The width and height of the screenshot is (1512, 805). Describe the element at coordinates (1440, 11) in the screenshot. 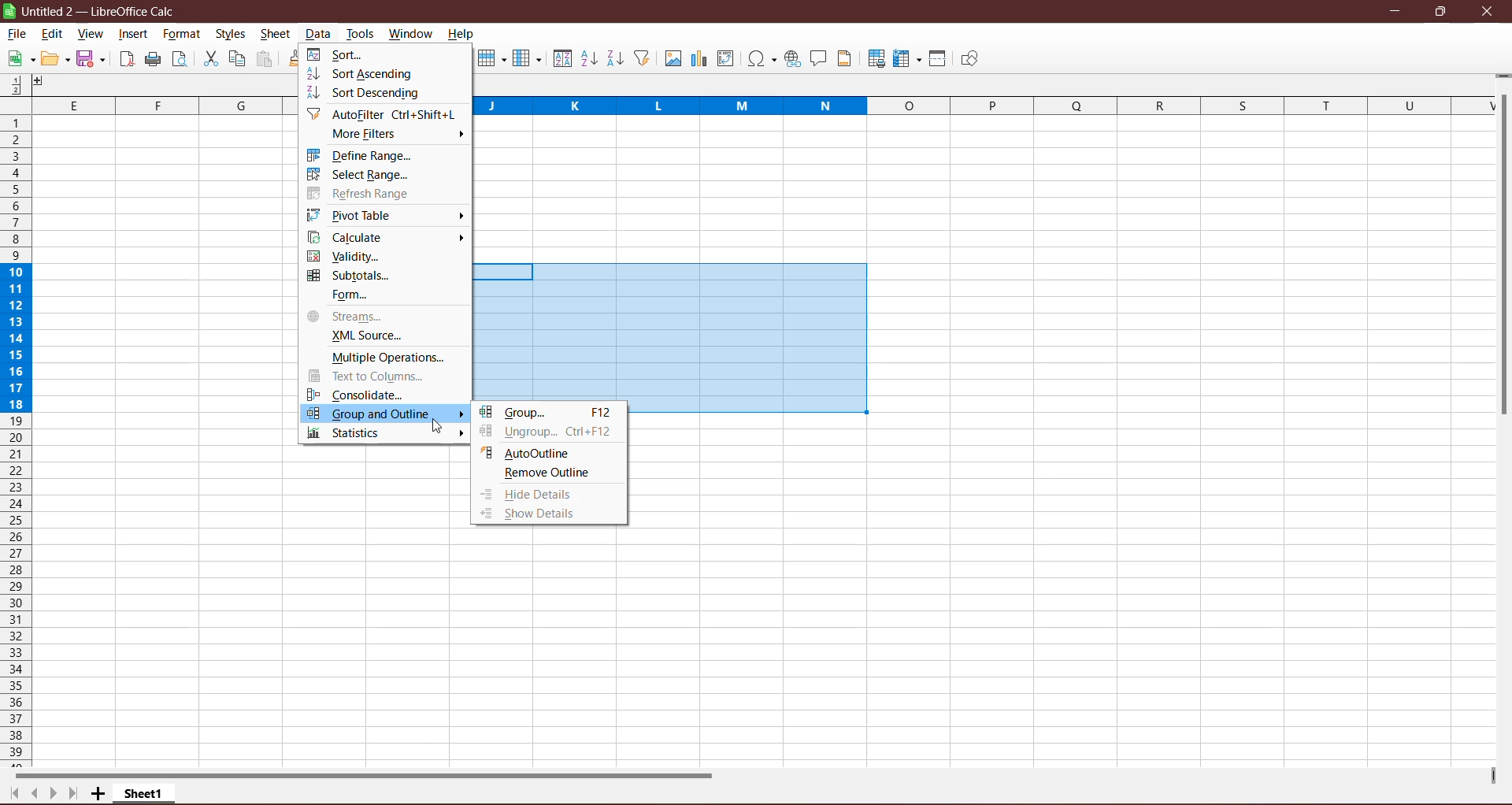

I see `Restore Down` at that location.